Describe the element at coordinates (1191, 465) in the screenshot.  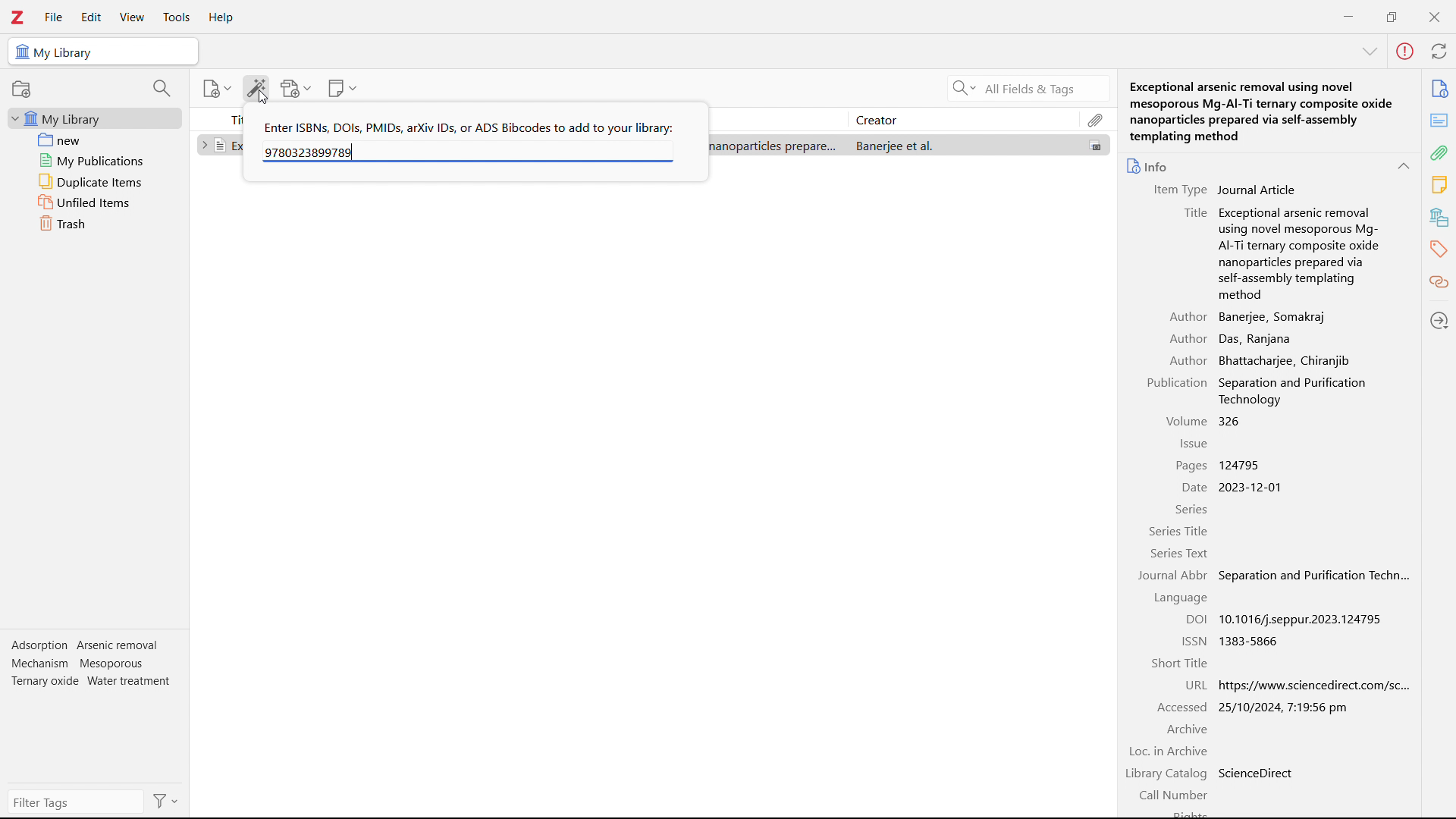
I see `pages` at that location.